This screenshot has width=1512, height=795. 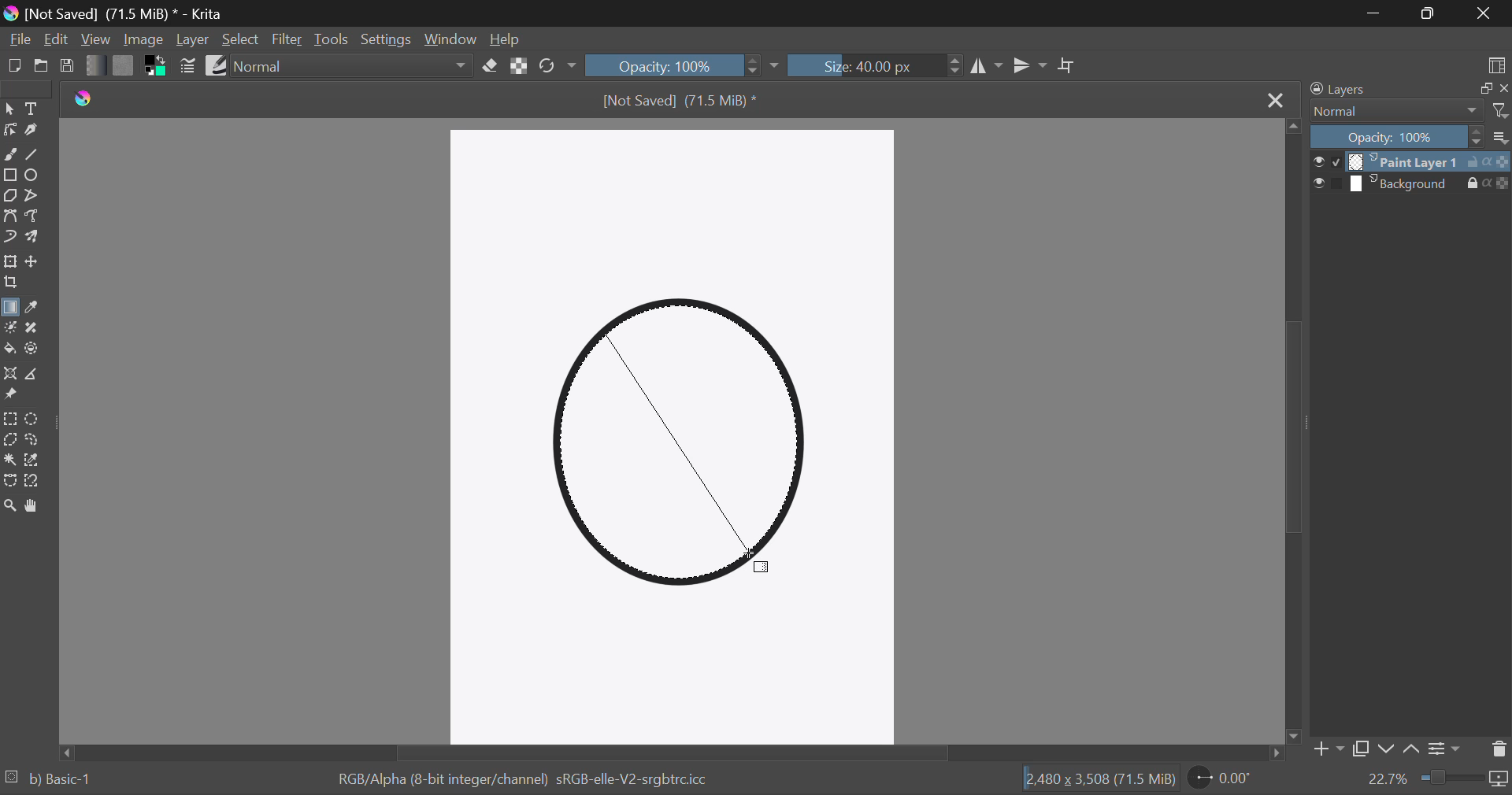 What do you see at coordinates (10, 238) in the screenshot?
I see `Dynamic Brush` at bounding box center [10, 238].